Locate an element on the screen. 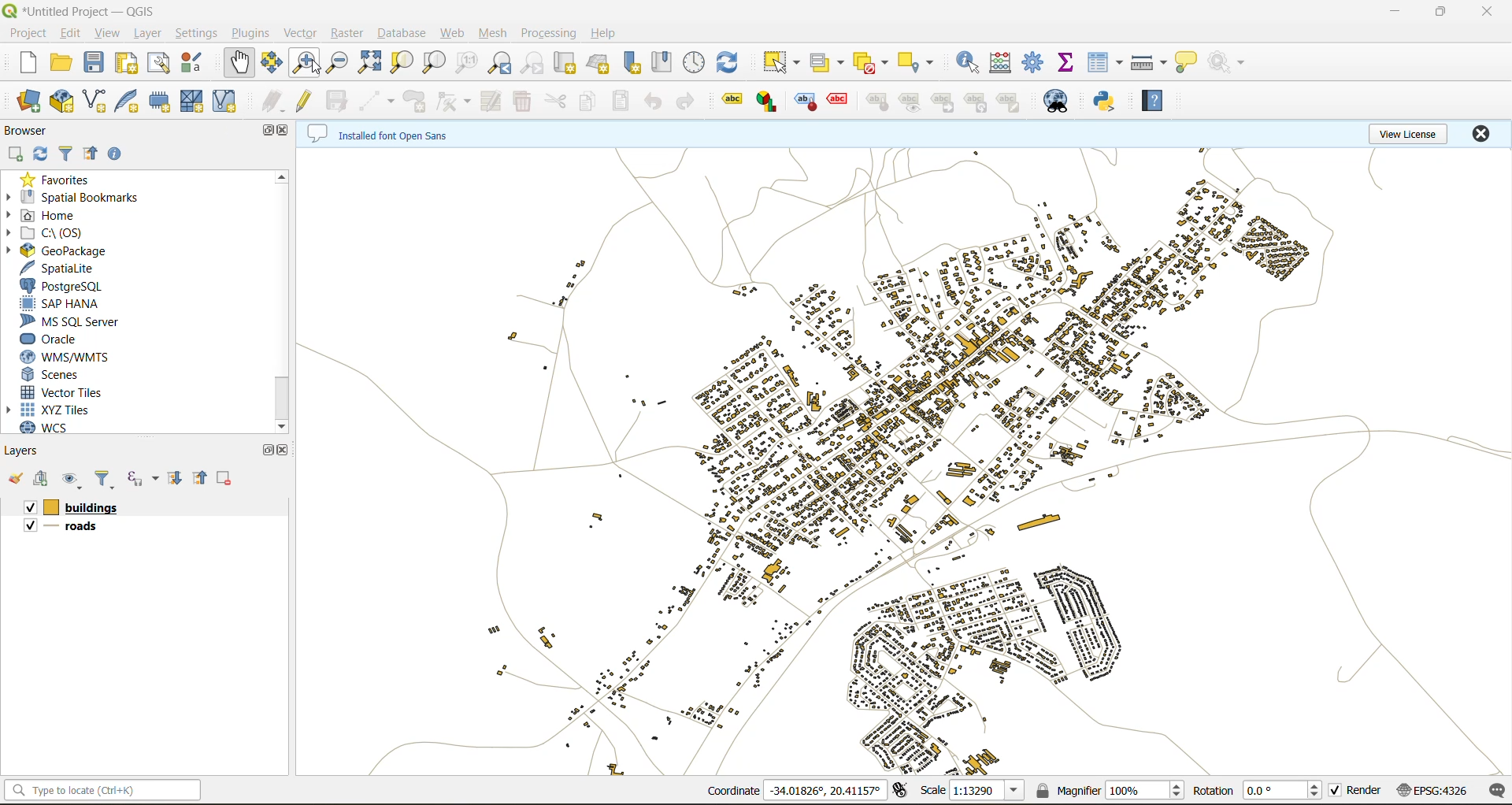  close is located at coordinates (286, 132).